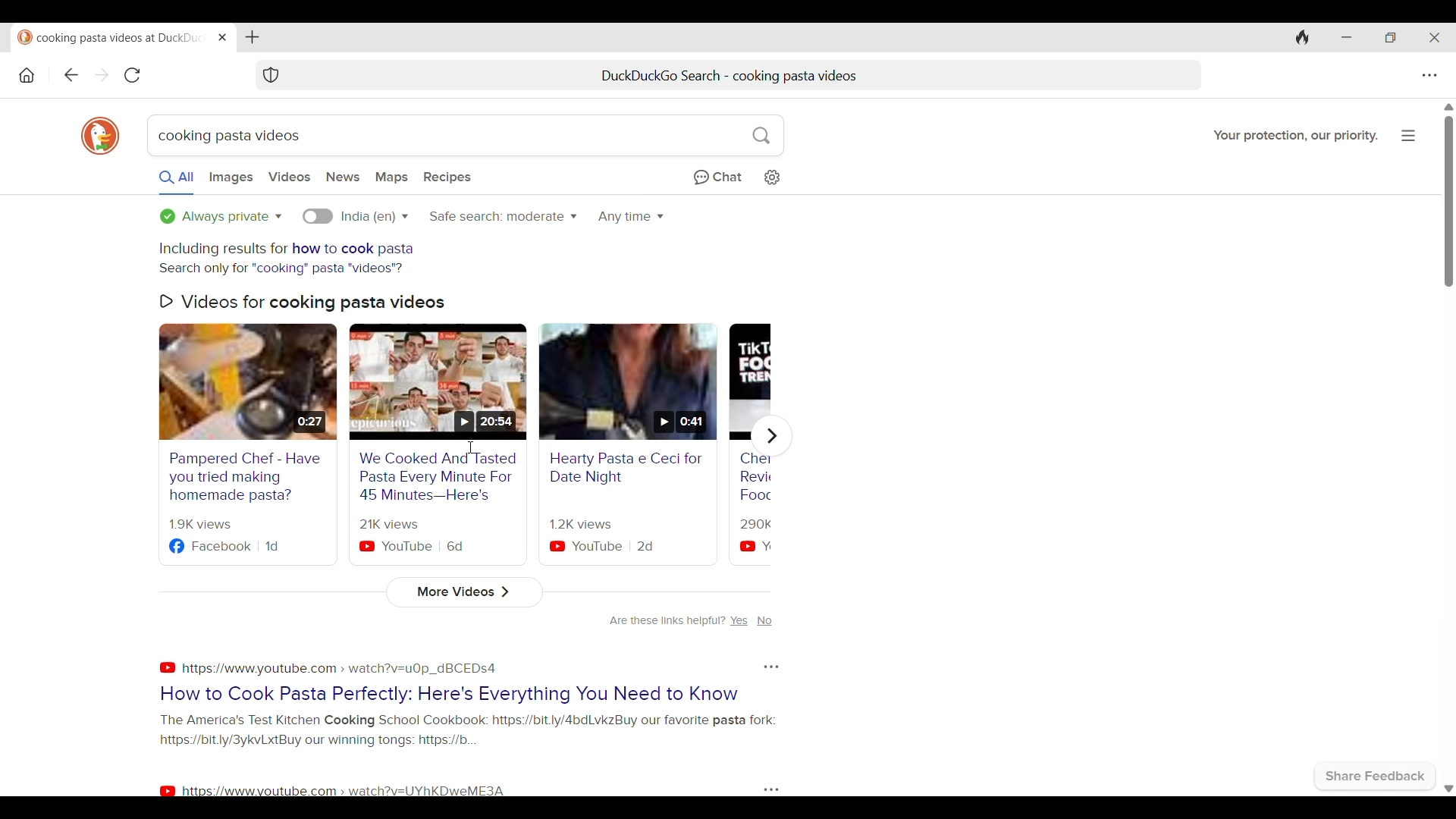 Image resolution: width=1456 pixels, height=819 pixels. Describe the element at coordinates (108, 37) in the screenshot. I see `Duckduckgo - your protection, our priority` at that location.